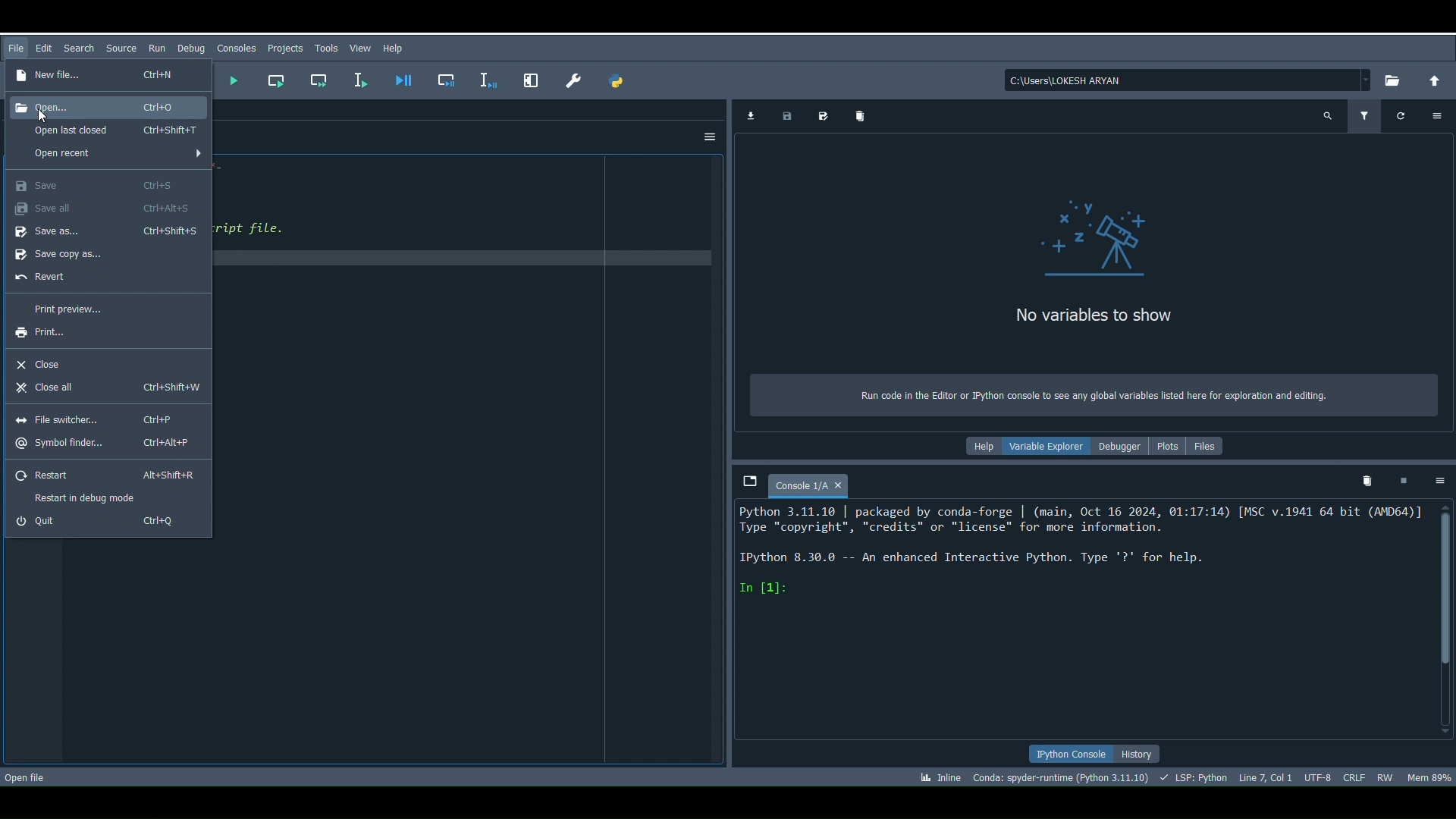 This screenshot has width=1456, height=819. I want to click on Consoles, so click(234, 47).